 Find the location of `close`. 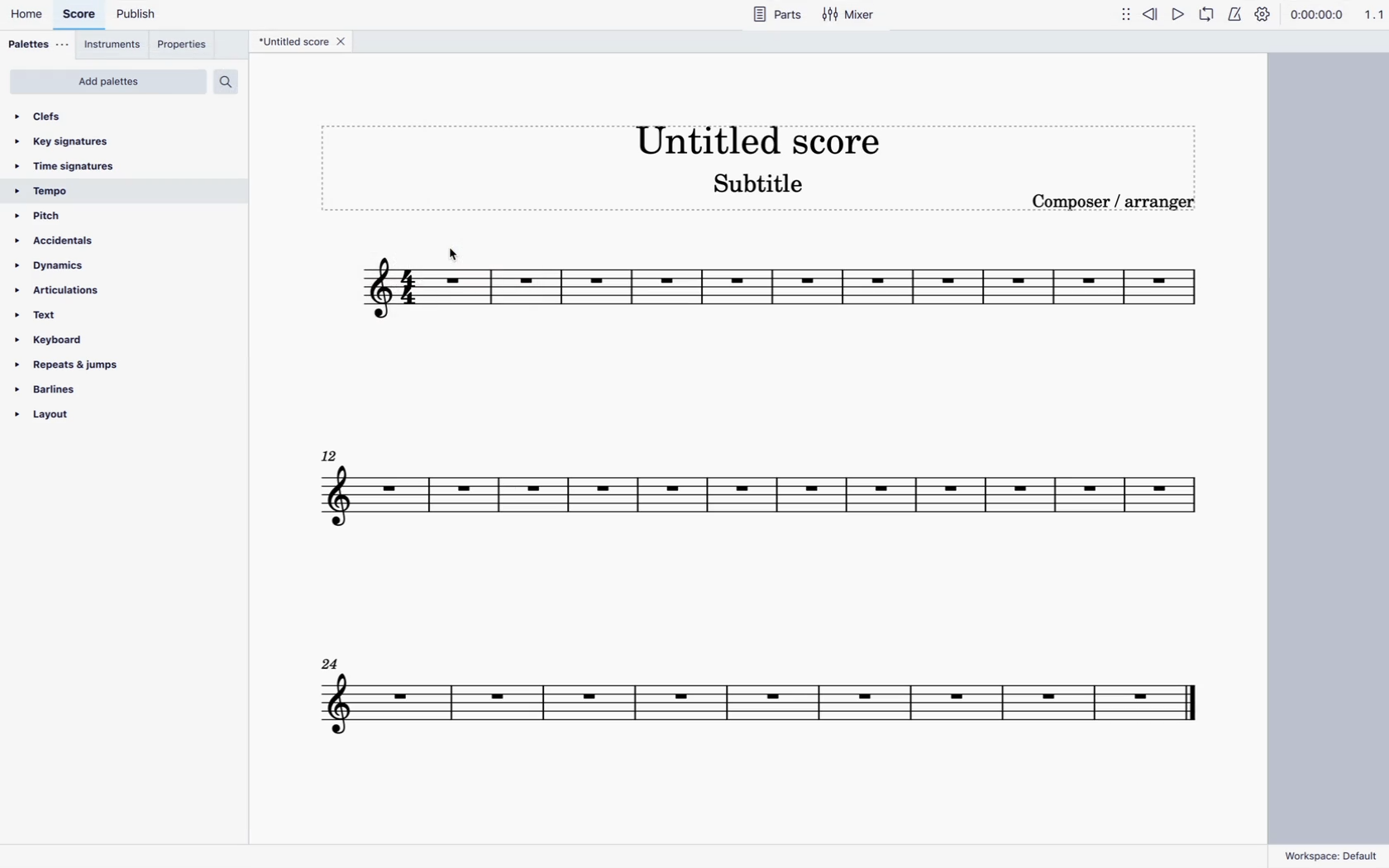

close is located at coordinates (346, 43).